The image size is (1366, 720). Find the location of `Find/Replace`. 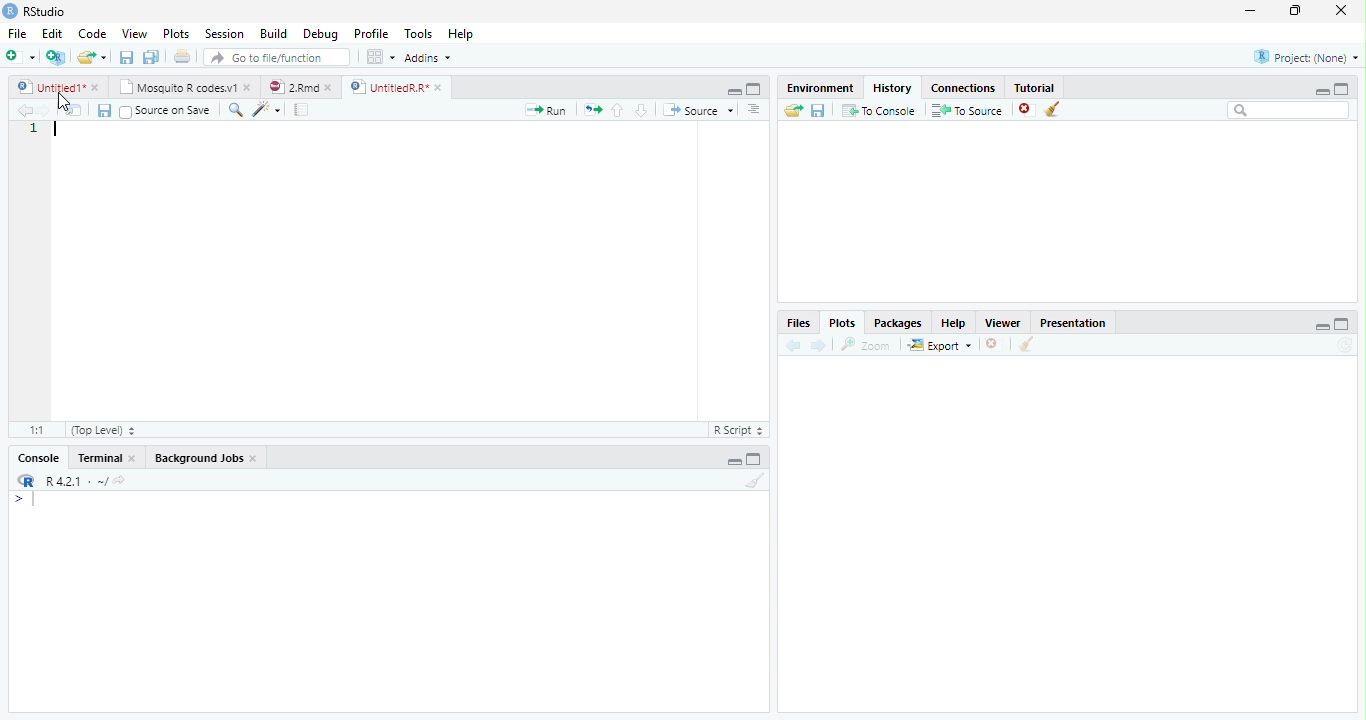

Find/Replace is located at coordinates (235, 110).